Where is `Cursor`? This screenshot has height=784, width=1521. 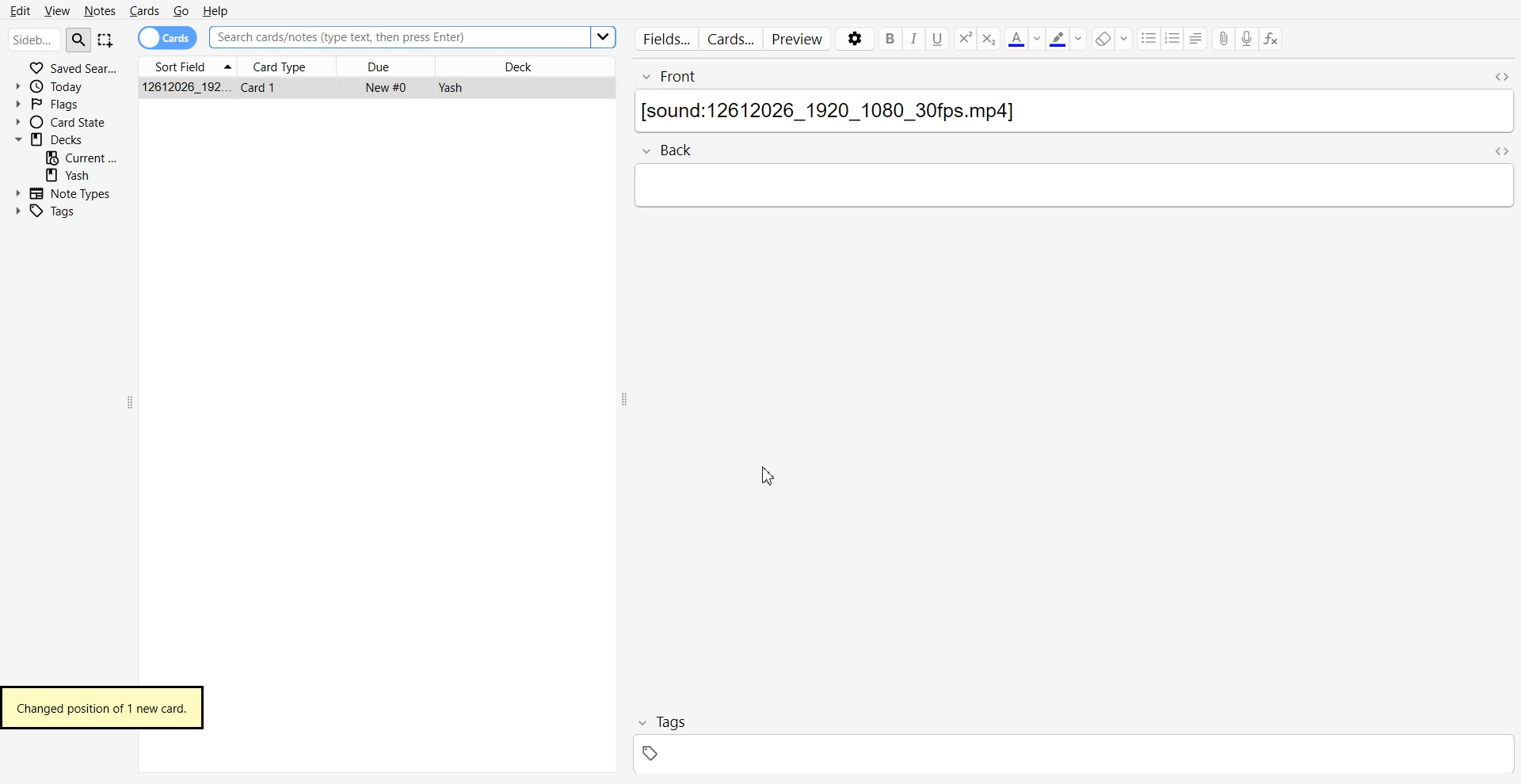 Cursor is located at coordinates (767, 474).